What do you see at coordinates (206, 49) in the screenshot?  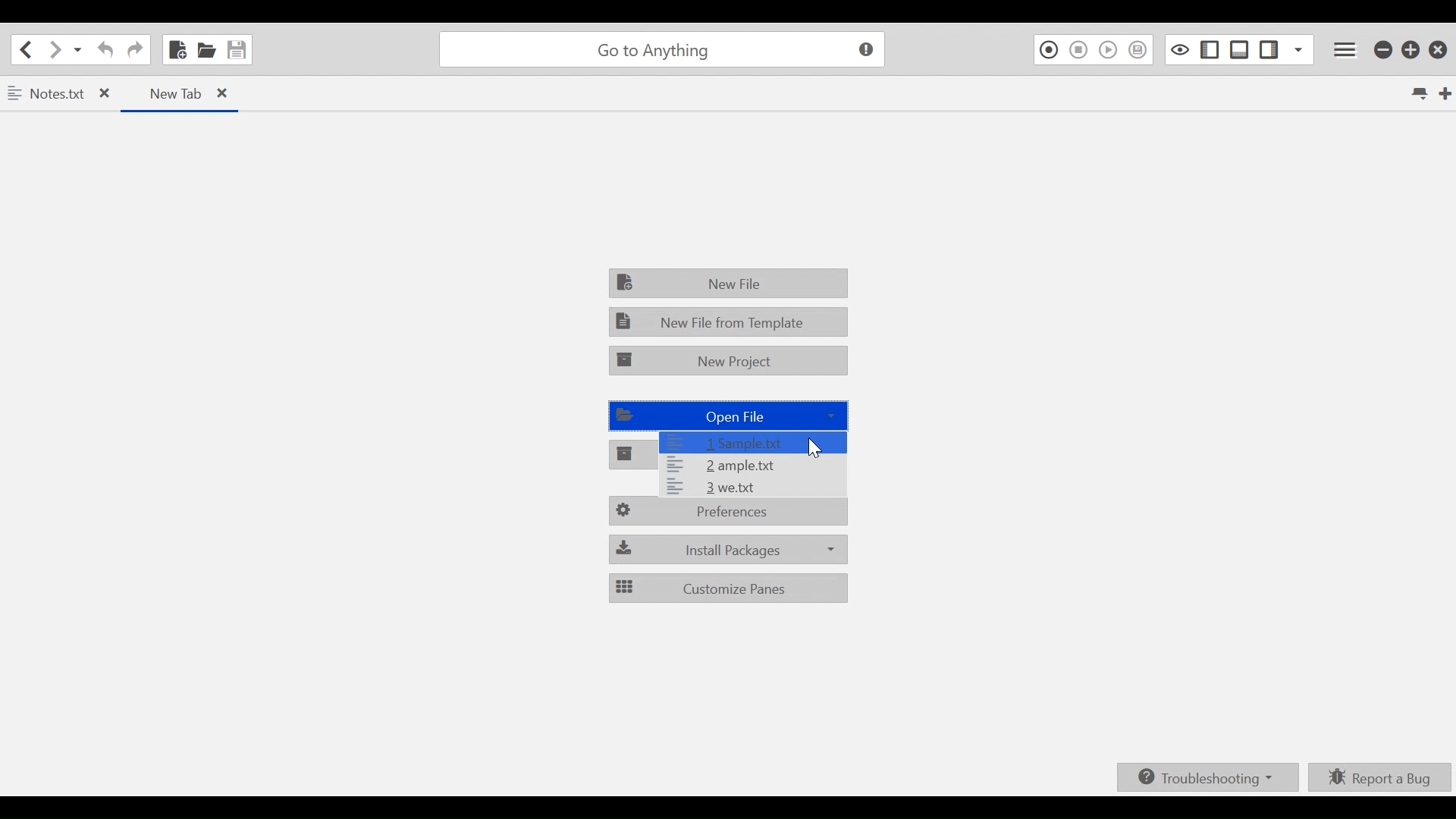 I see `Open File` at bounding box center [206, 49].